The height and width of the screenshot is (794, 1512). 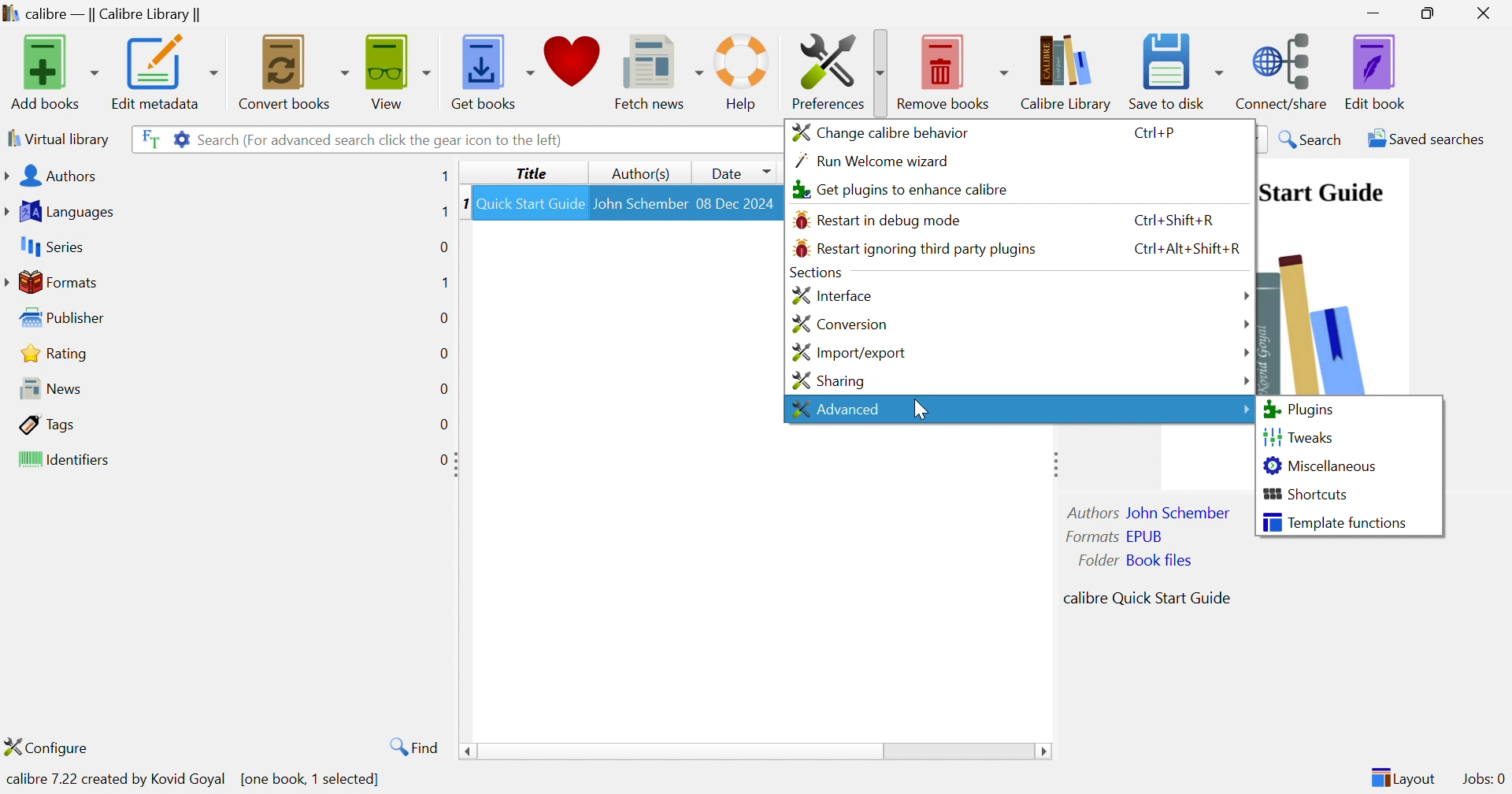 I want to click on Preferences, so click(x=834, y=70).